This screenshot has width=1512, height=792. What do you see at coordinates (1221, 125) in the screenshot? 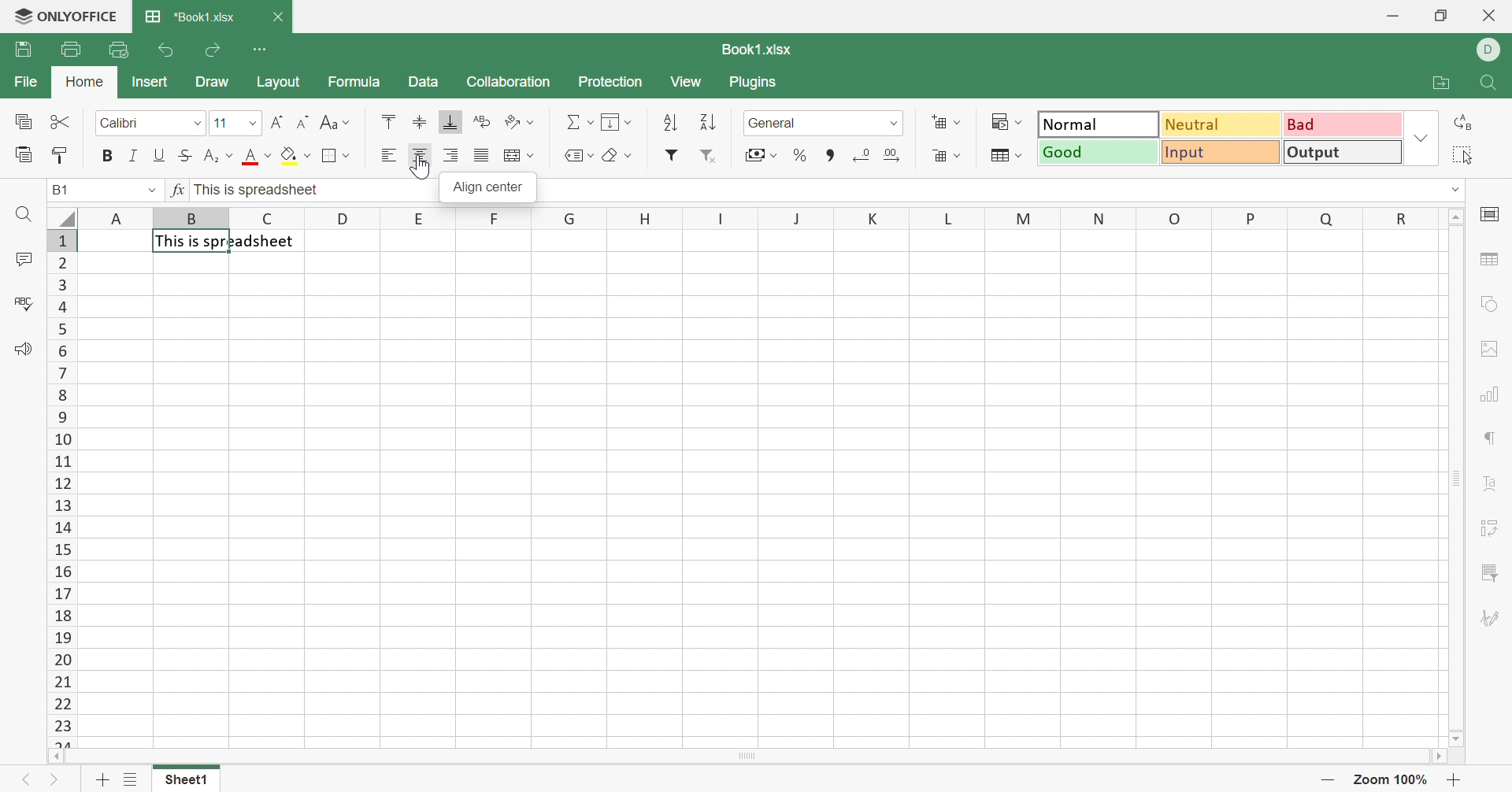
I see `Neutral` at bounding box center [1221, 125].